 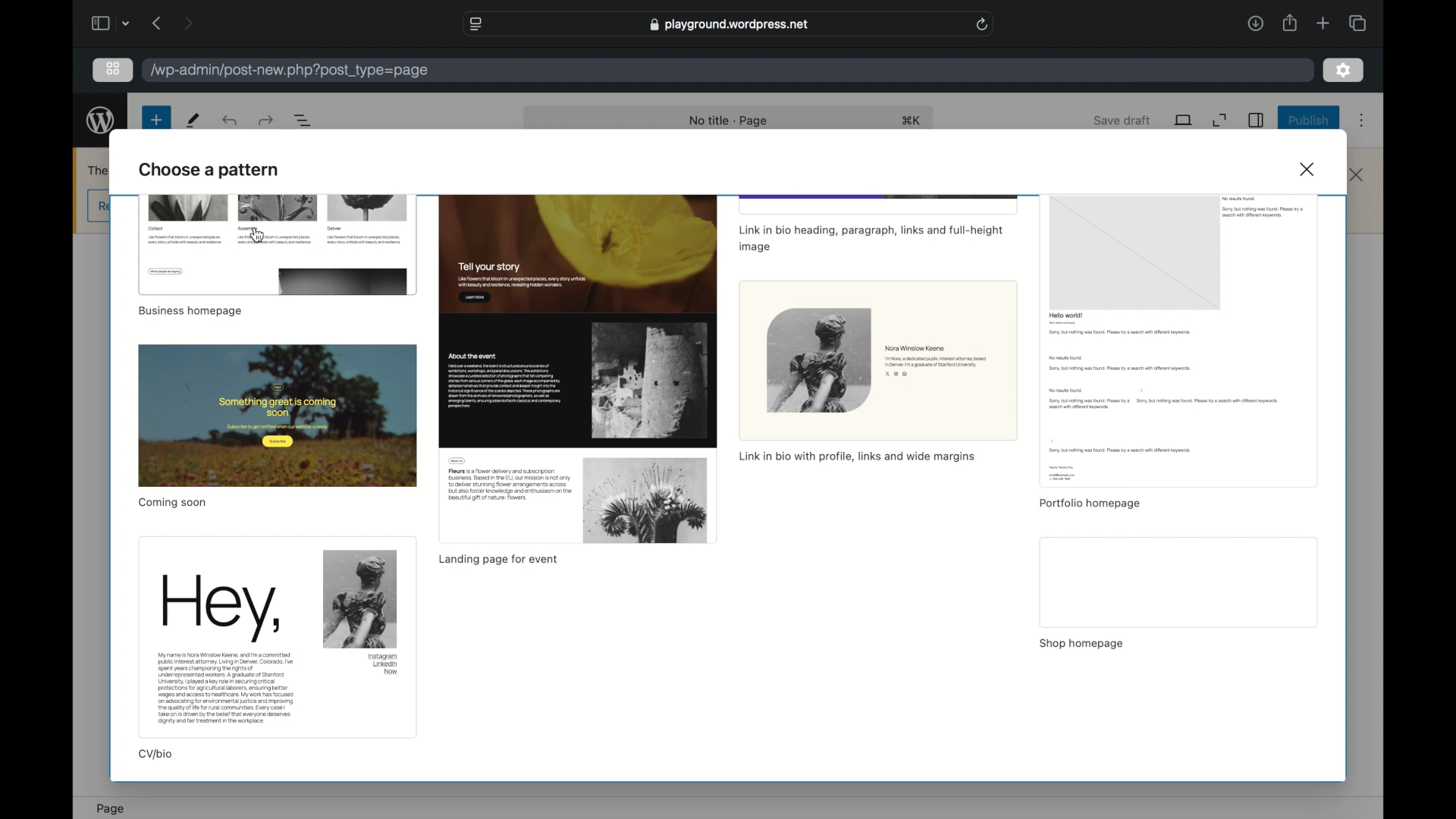 What do you see at coordinates (174, 503) in the screenshot?
I see `coming soon` at bounding box center [174, 503].